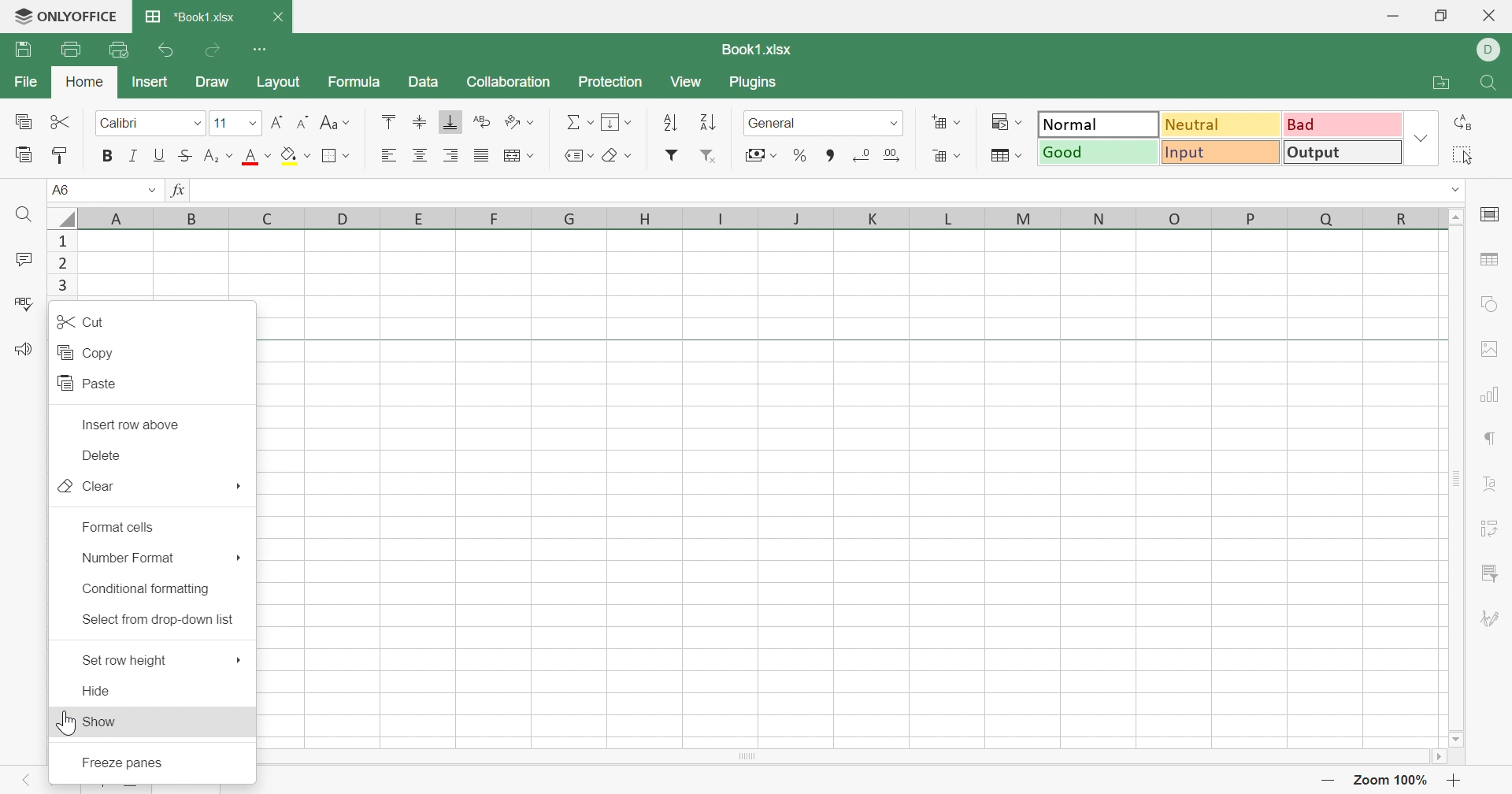  Describe the element at coordinates (389, 121) in the screenshot. I see `Align Top` at that location.